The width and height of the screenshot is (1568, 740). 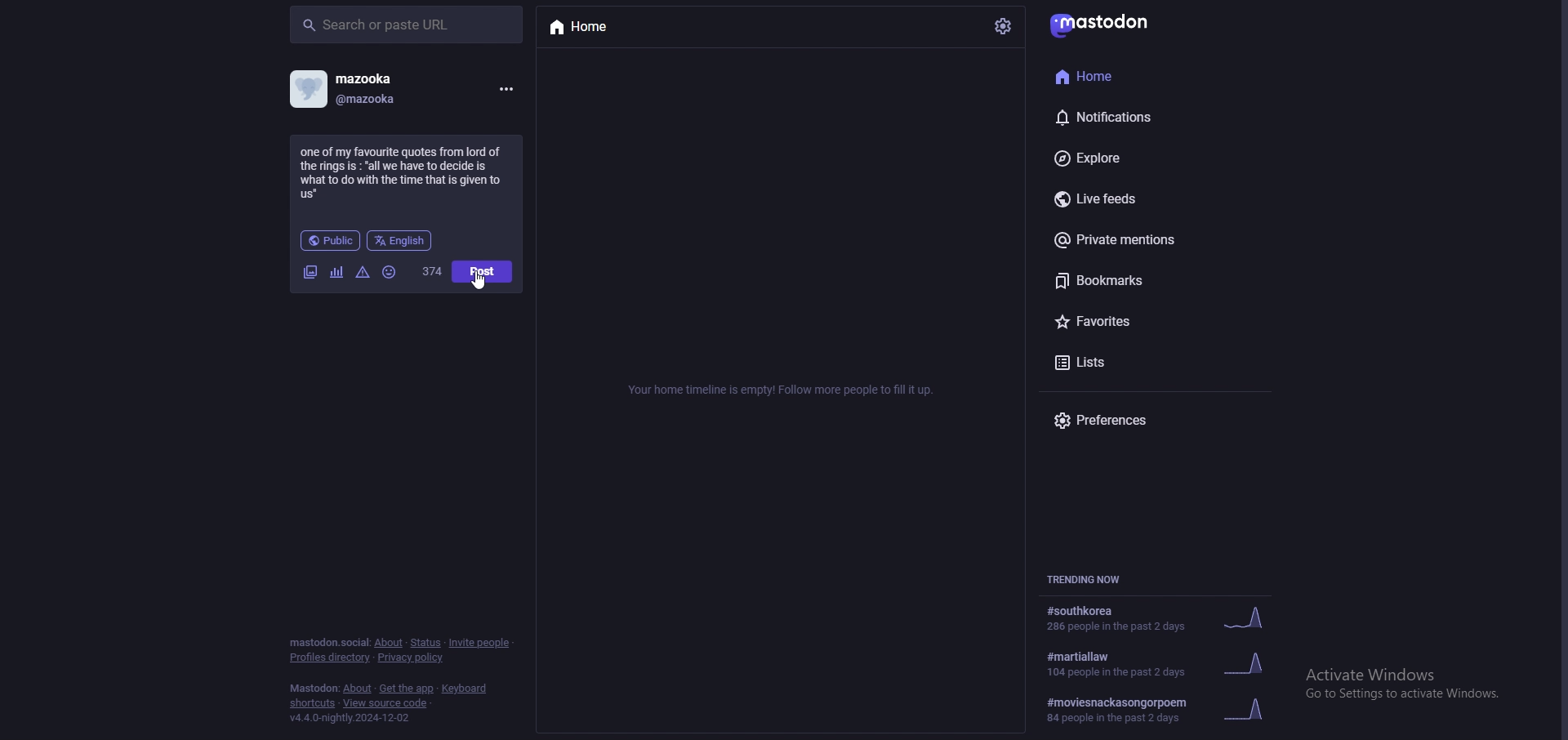 What do you see at coordinates (786, 392) in the screenshot?
I see `Your home timeline is empty! Follow more people to fill it up.` at bounding box center [786, 392].